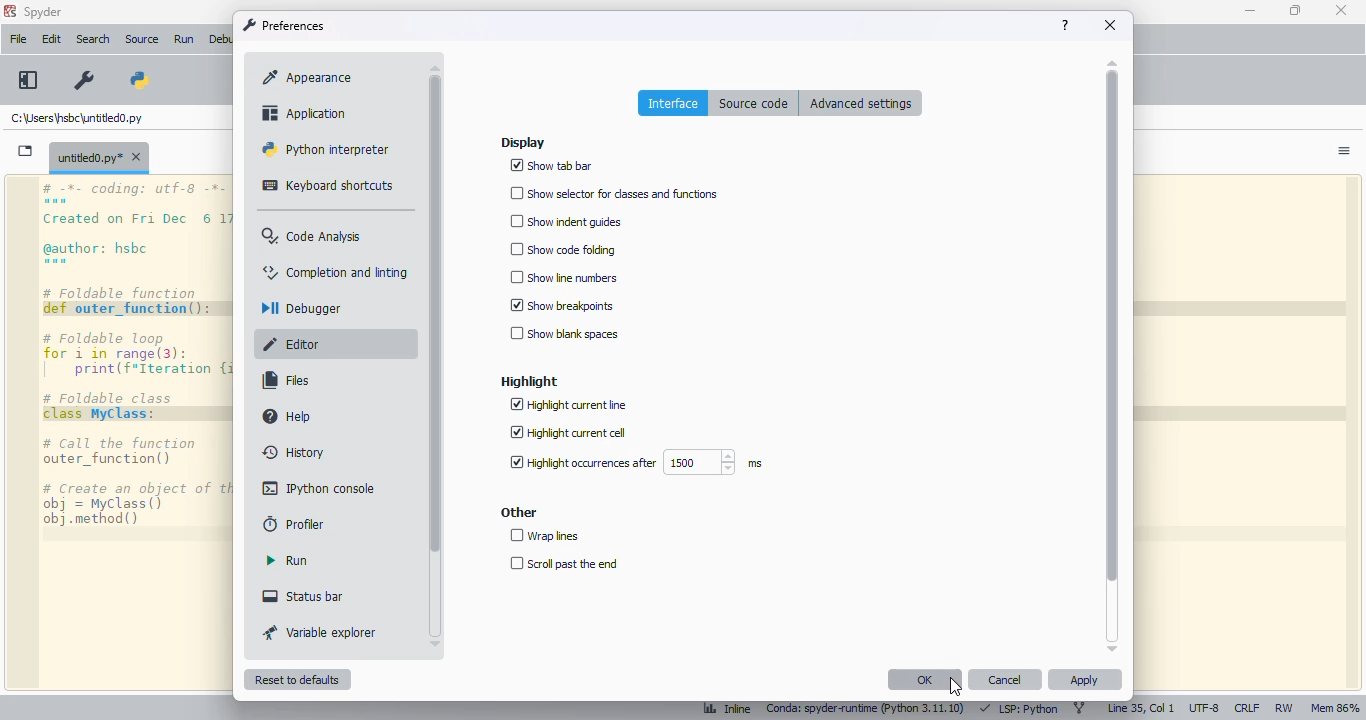 The image size is (1366, 720). What do you see at coordinates (1080, 708) in the screenshot?
I see `git branches` at bounding box center [1080, 708].